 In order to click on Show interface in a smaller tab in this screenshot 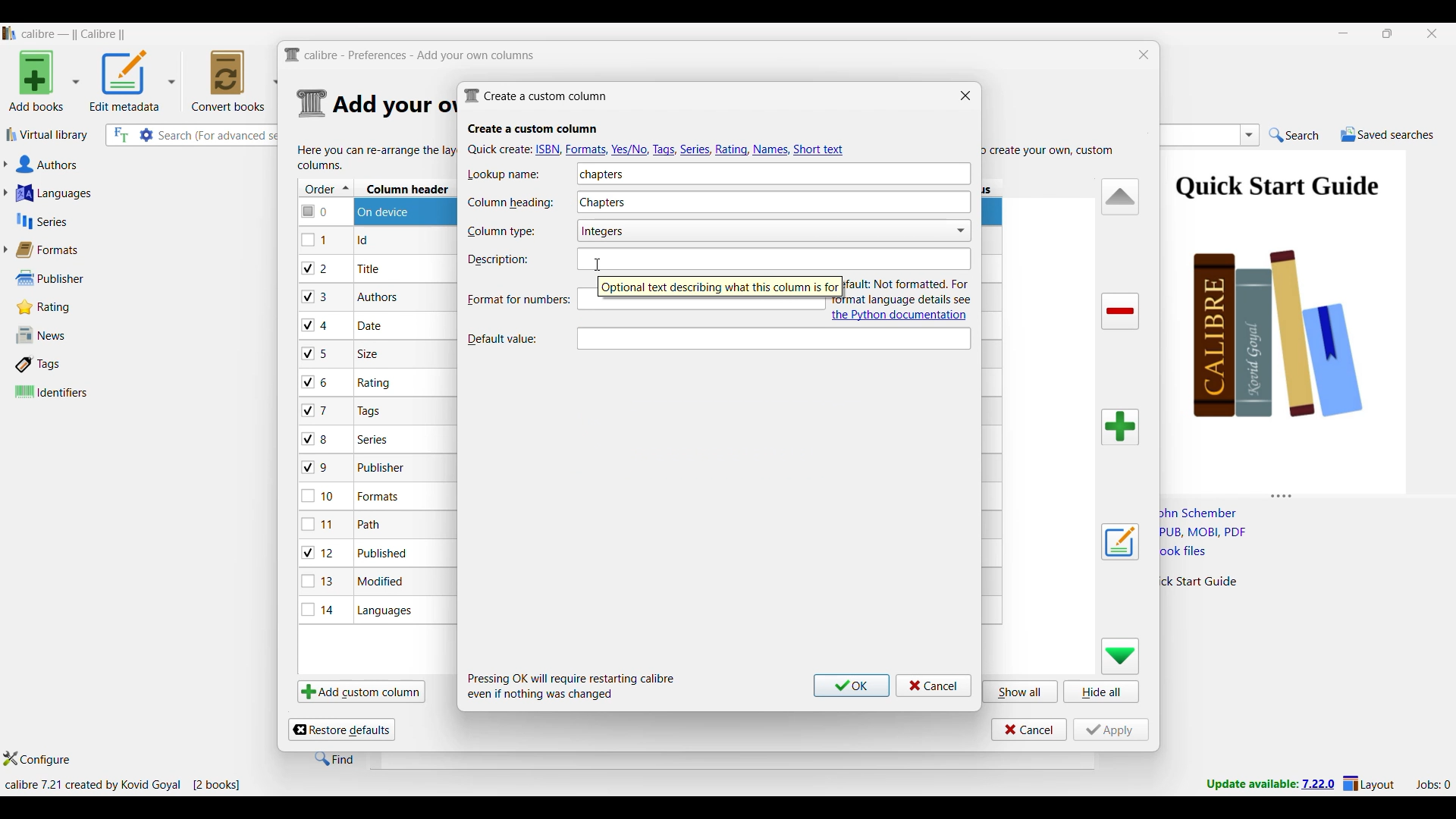, I will do `click(1389, 33)`.